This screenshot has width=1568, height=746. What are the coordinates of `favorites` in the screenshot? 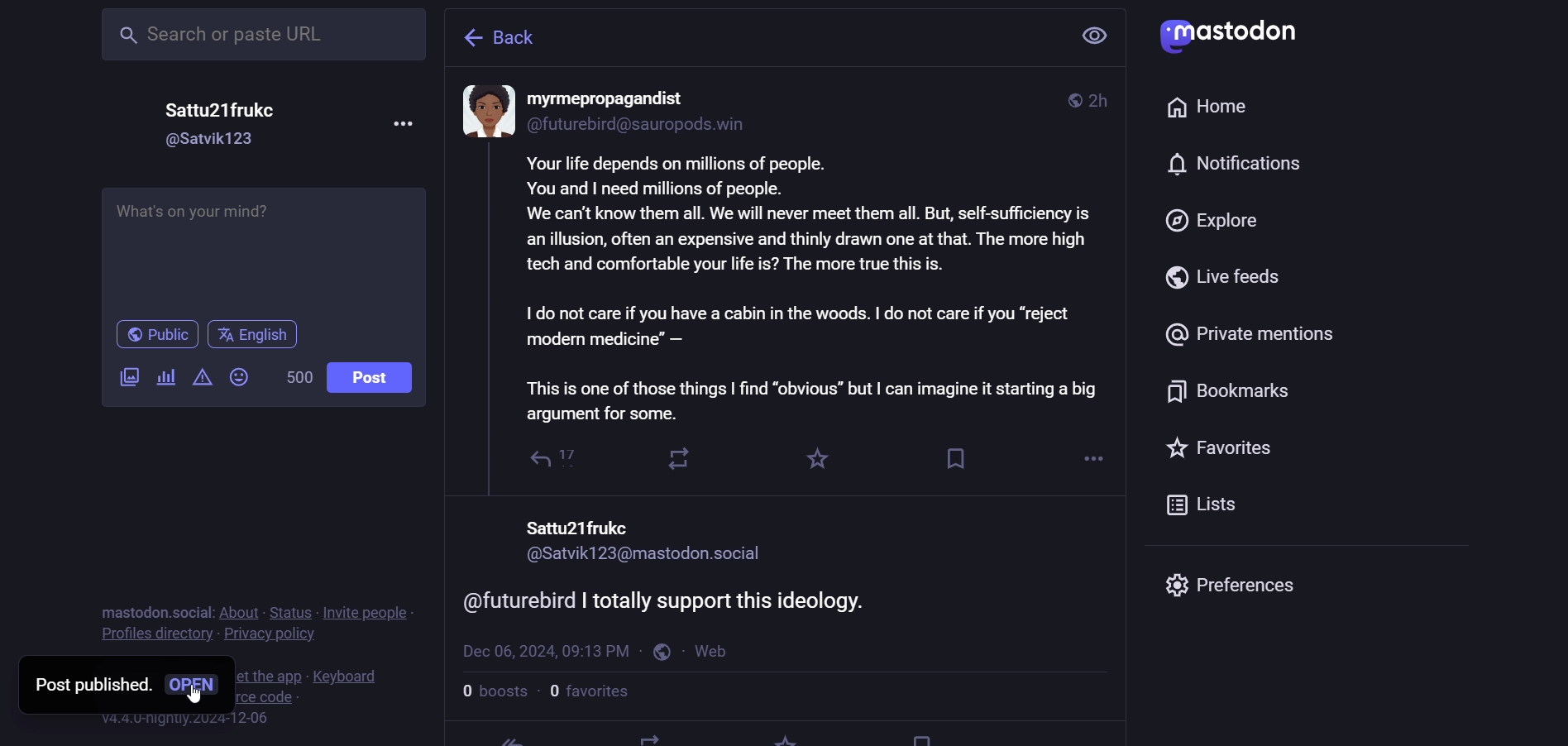 It's located at (595, 694).